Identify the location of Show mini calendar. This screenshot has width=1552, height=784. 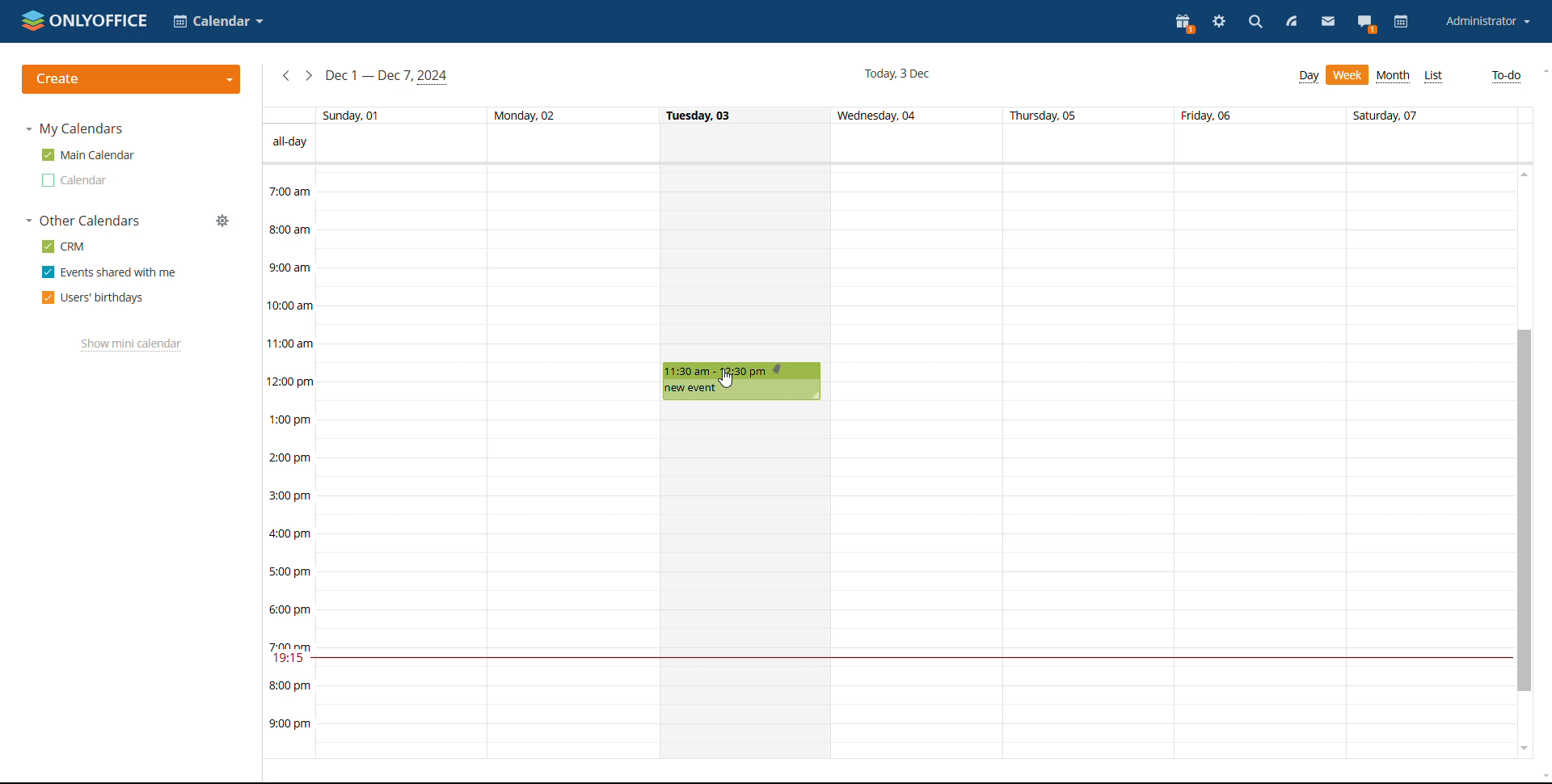
(129, 345).